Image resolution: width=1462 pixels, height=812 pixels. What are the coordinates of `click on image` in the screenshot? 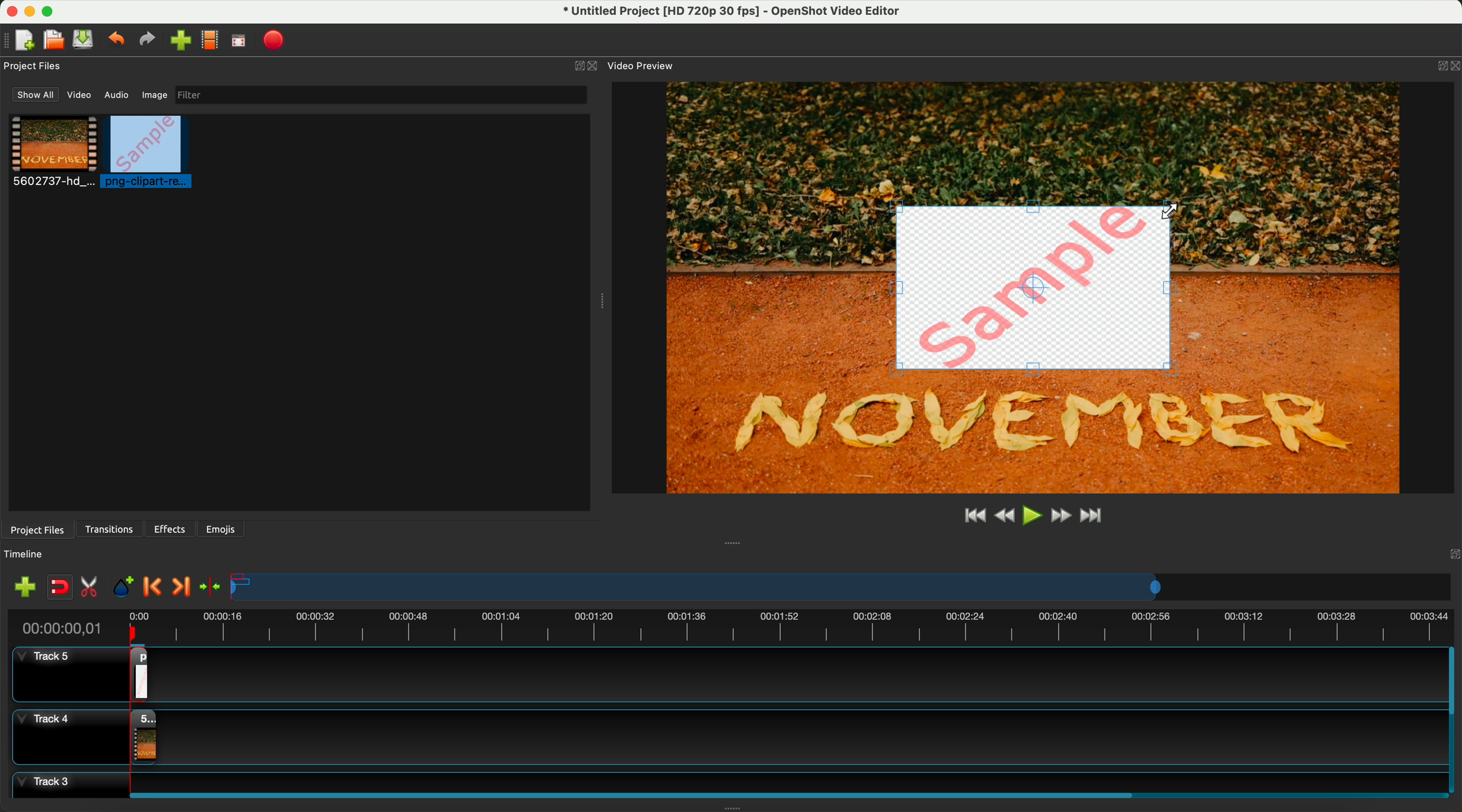 It's located at (150, 153).